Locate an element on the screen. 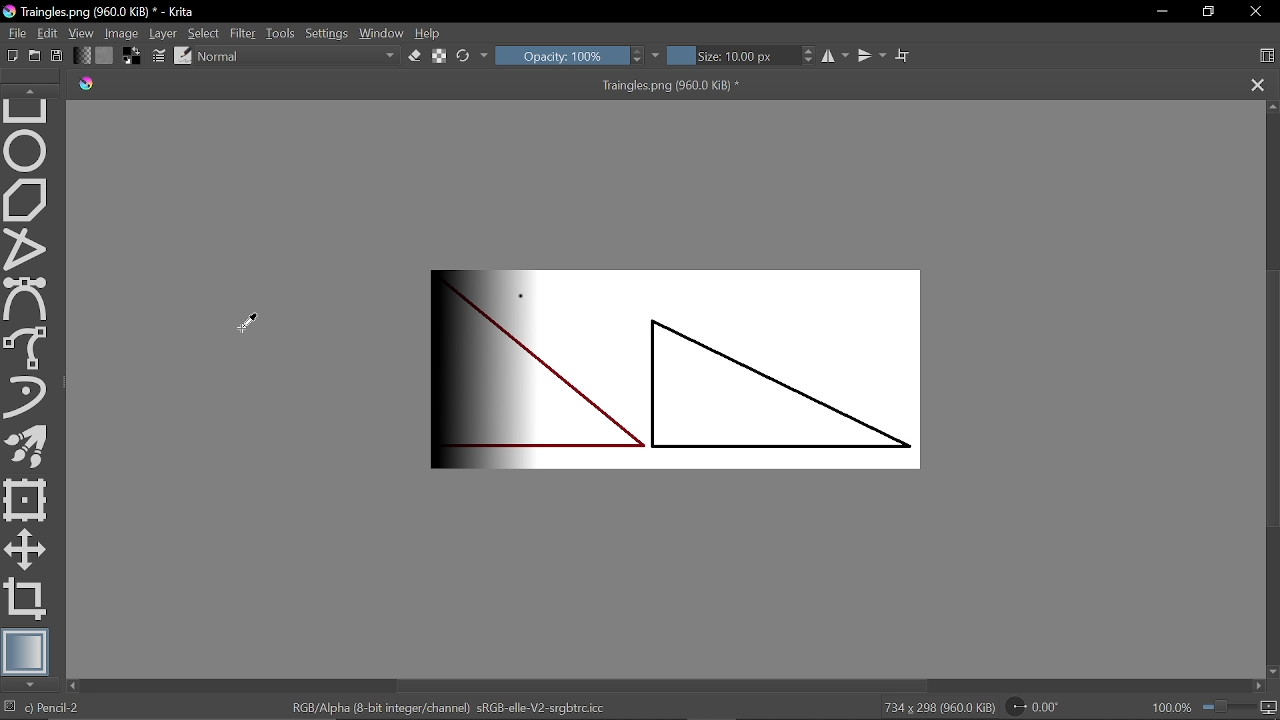  Window is located at coordinates (382, 33).